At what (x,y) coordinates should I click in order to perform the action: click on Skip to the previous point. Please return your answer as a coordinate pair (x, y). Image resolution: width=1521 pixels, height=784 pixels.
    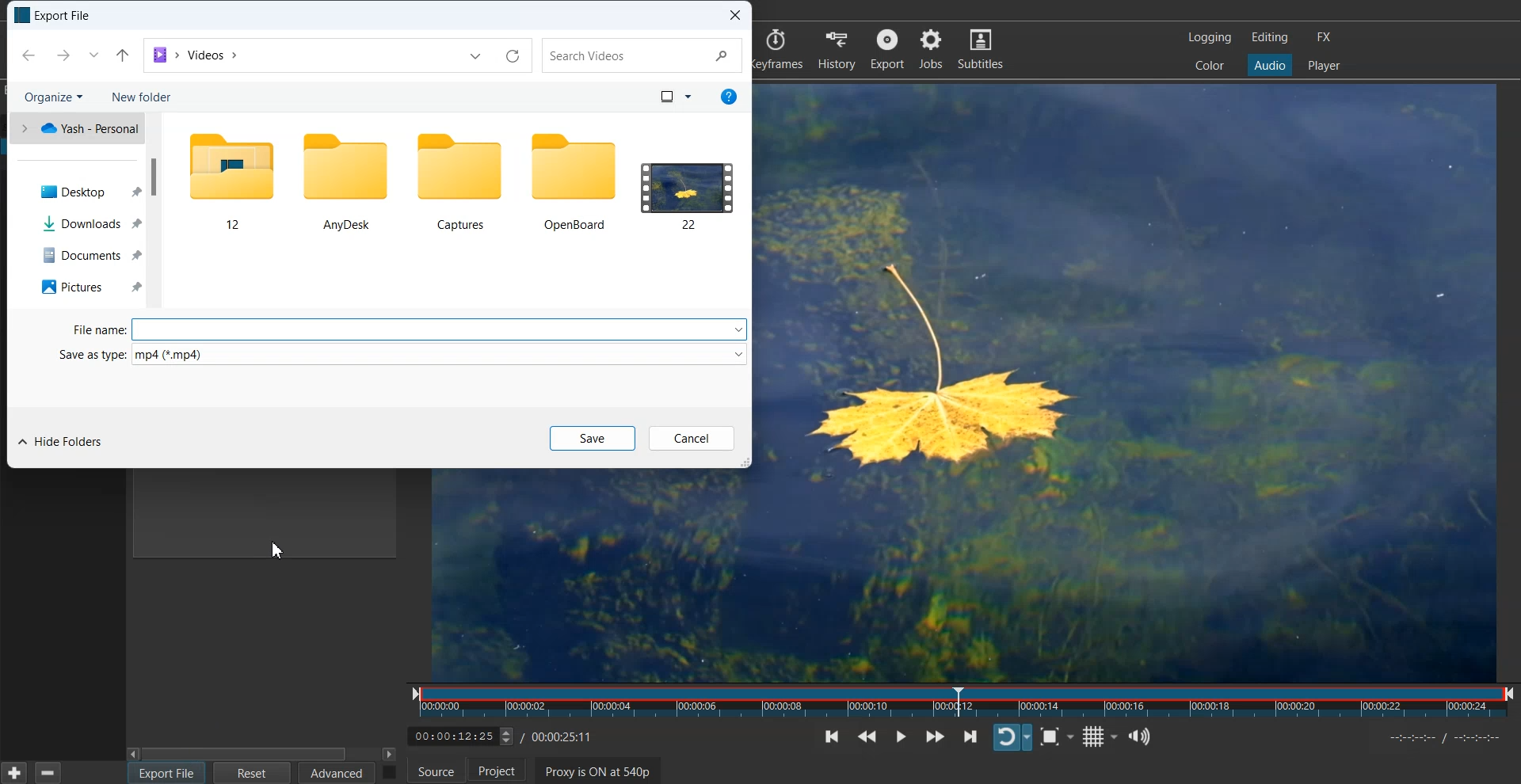
    Looking at the image, I should click on (835, 736).